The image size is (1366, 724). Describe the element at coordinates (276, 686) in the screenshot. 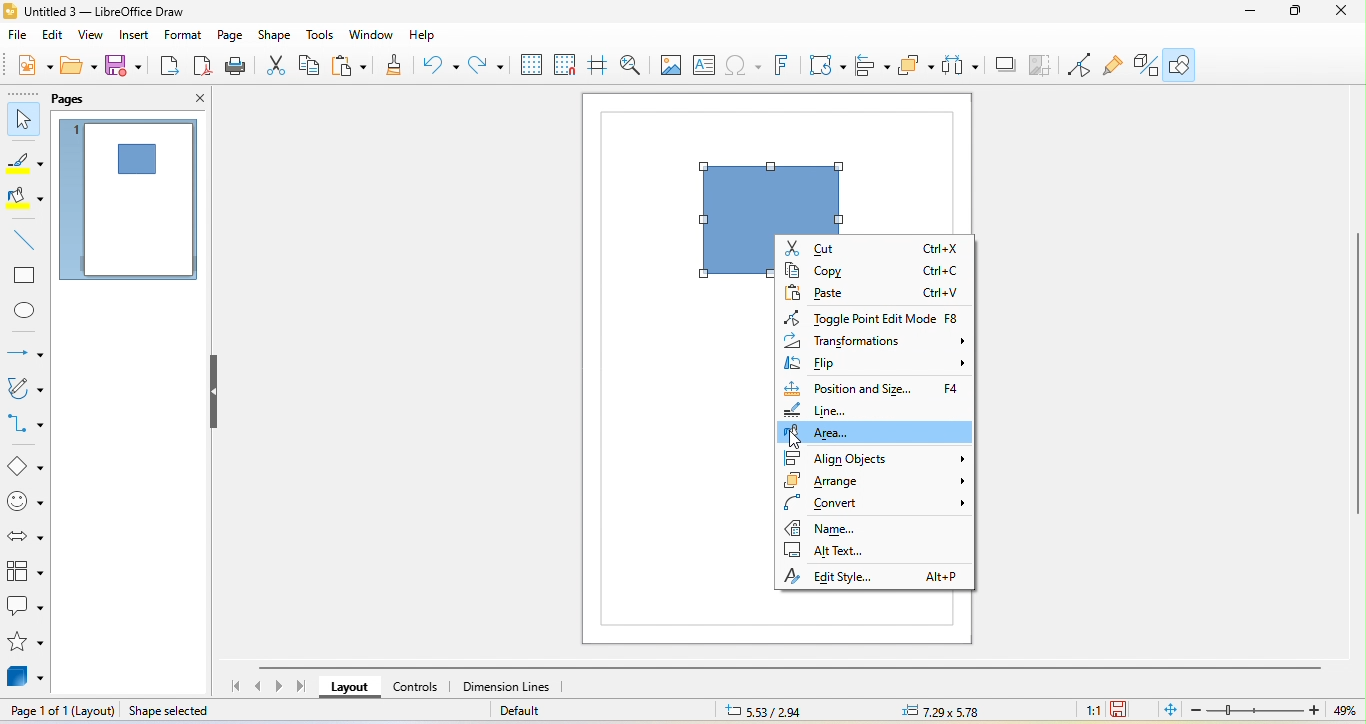

I see `next page` at that location.